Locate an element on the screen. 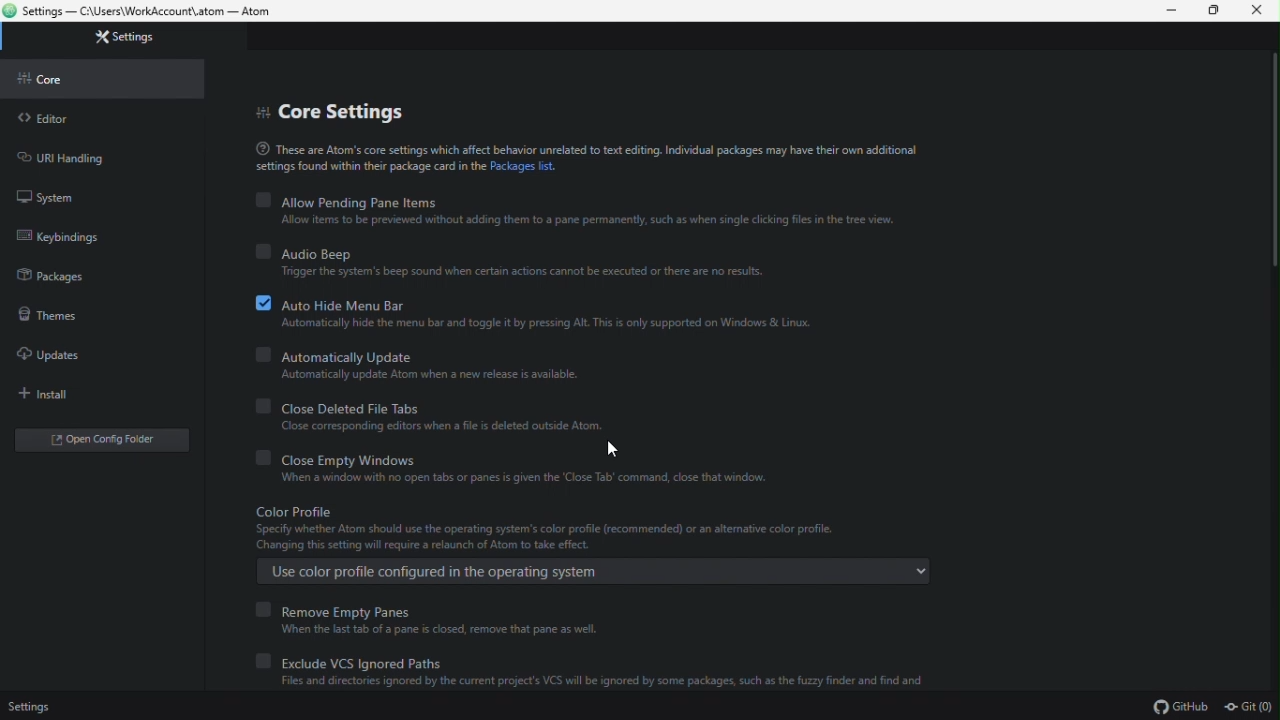 This screenshot has height=720, width=1280. Scroll bar is located at coordinates (1272, 163).